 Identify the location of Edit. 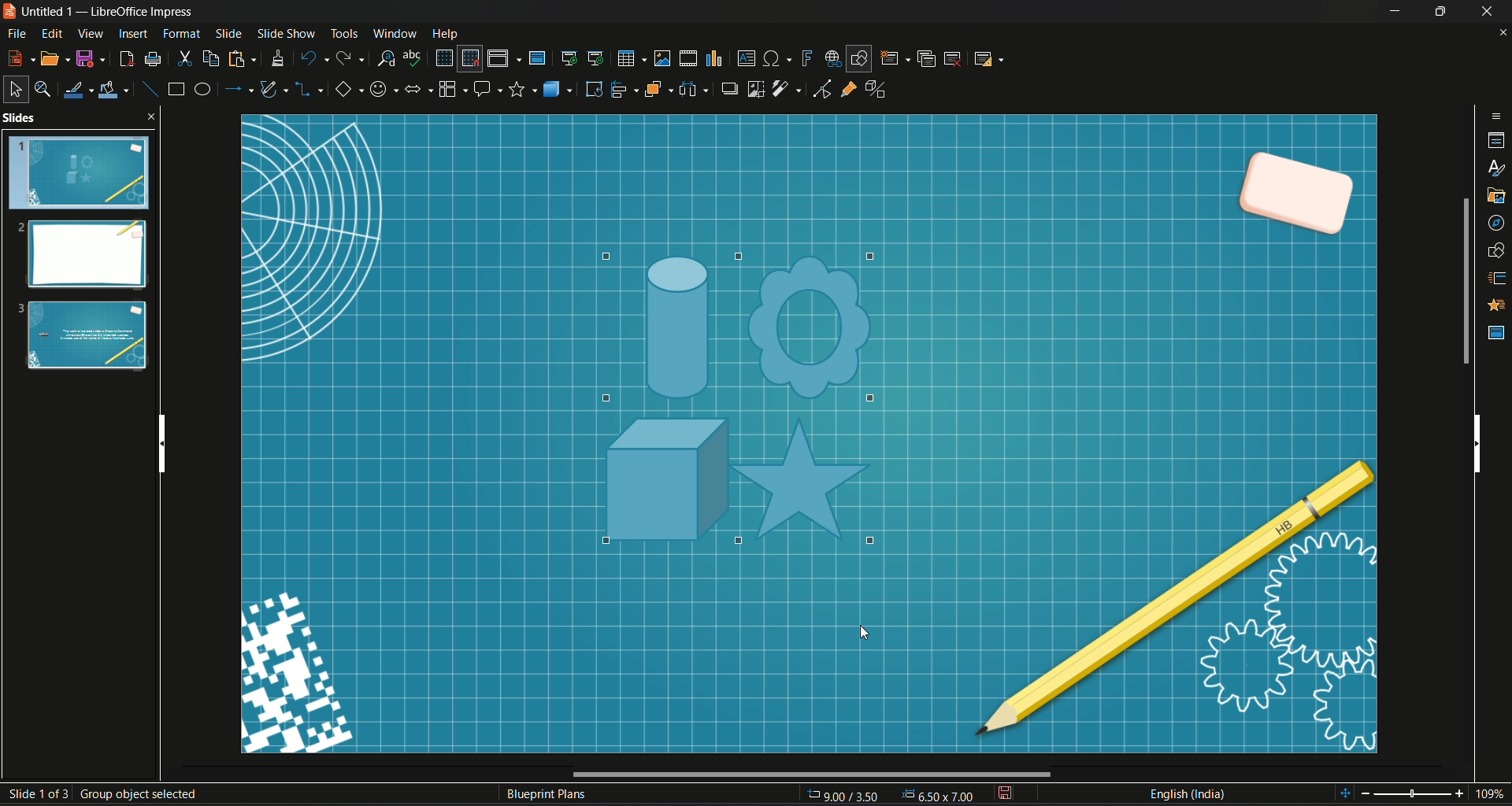
(53, 34).